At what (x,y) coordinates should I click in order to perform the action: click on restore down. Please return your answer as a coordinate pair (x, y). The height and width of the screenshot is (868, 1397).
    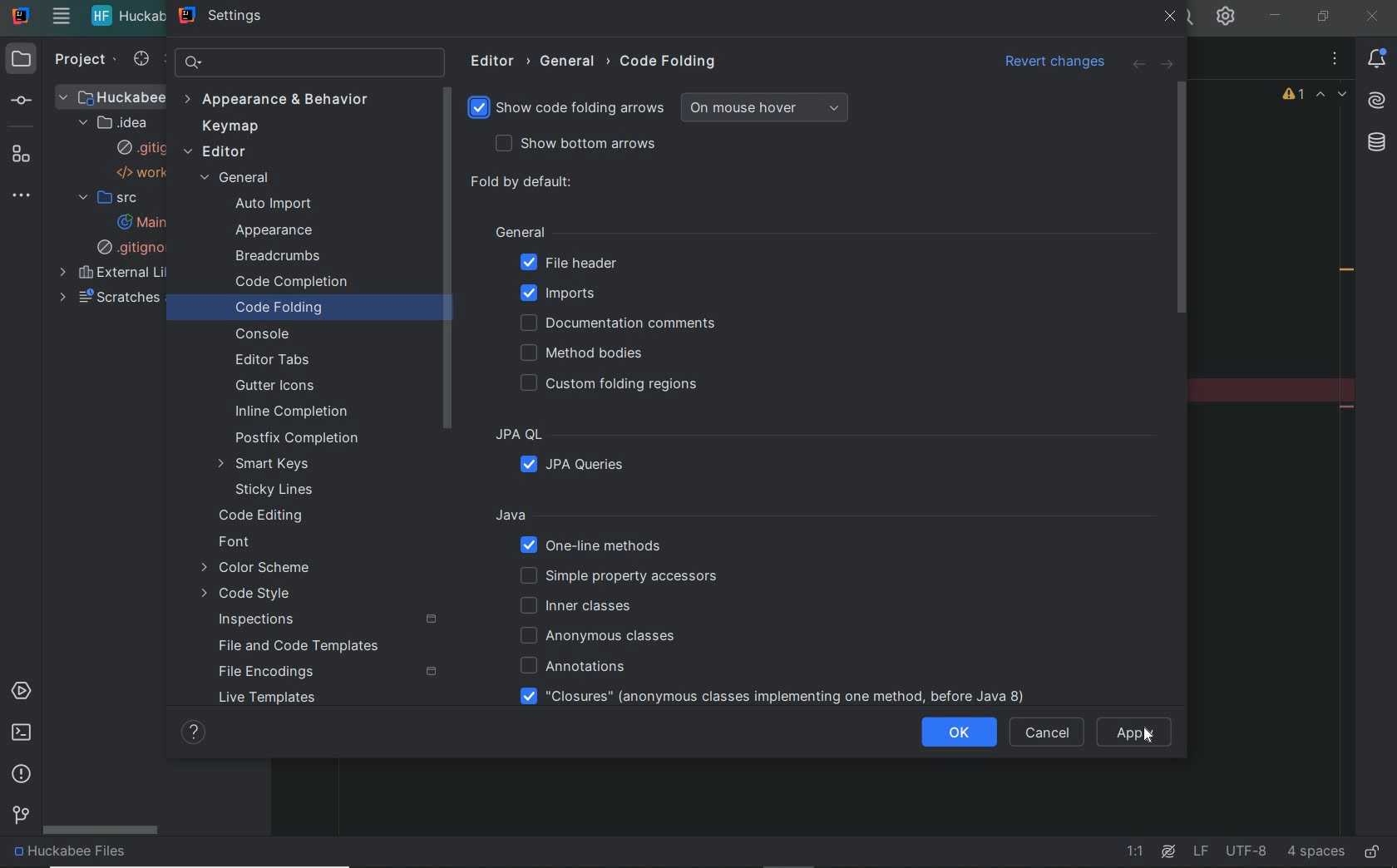
    Looking at the image, I should click on (1325, 17).